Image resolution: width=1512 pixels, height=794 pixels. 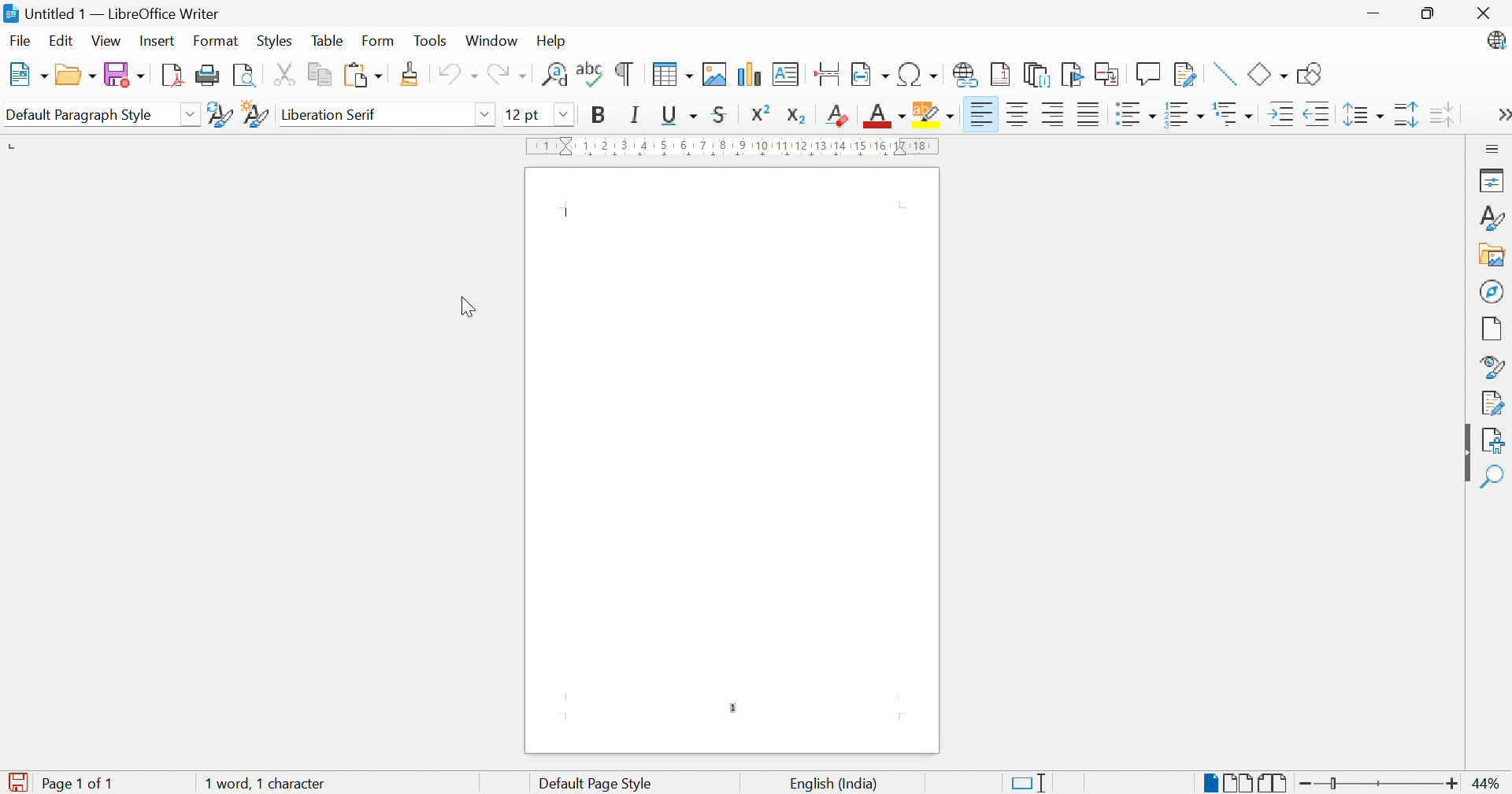 What do you see at coordinates (733, 710) in the screenshot?
I see `Page number added` at bounding box center [733, 710].